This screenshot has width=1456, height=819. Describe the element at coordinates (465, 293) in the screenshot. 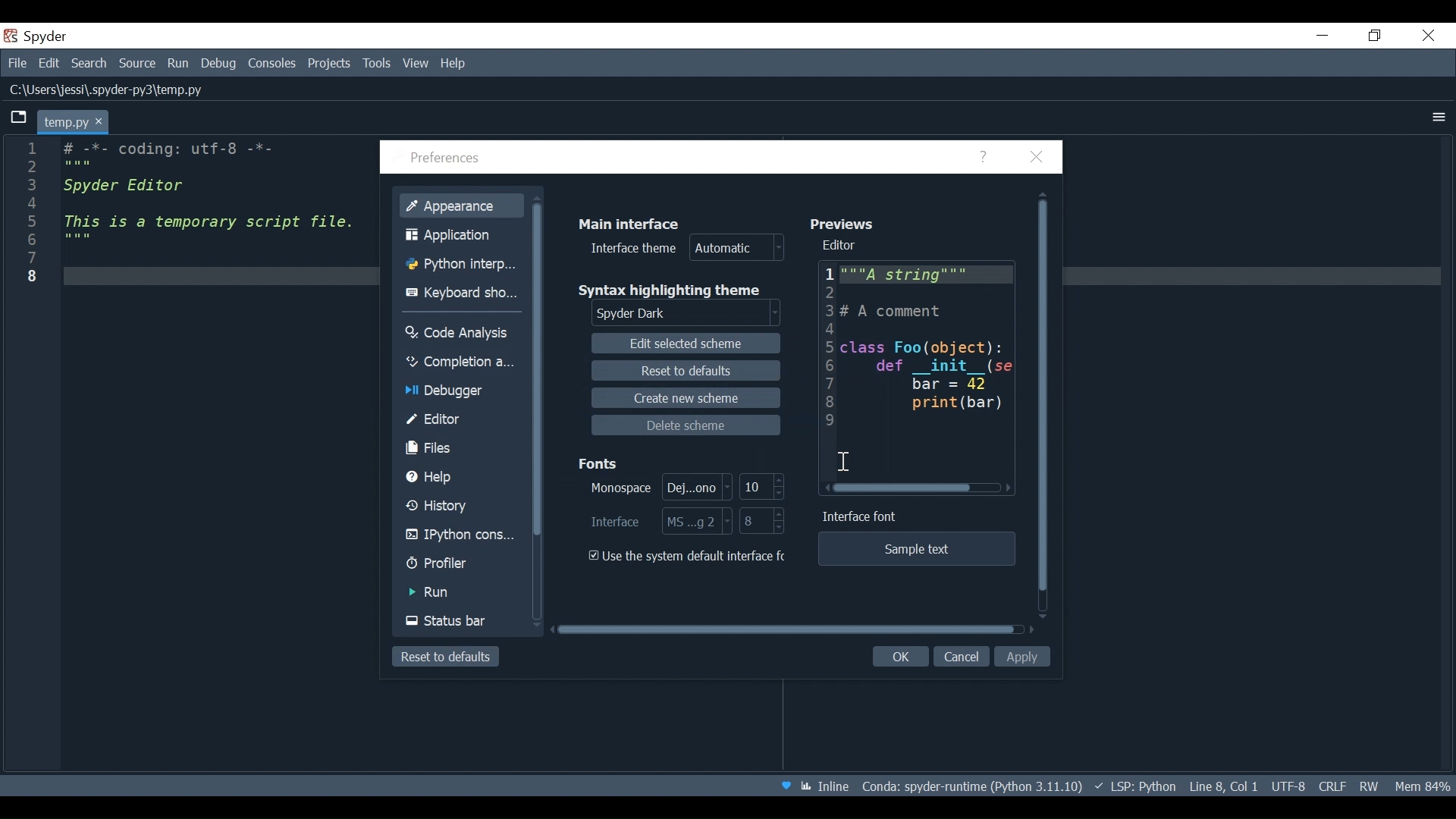

I see `Keyboard Shortcuts` at that location.